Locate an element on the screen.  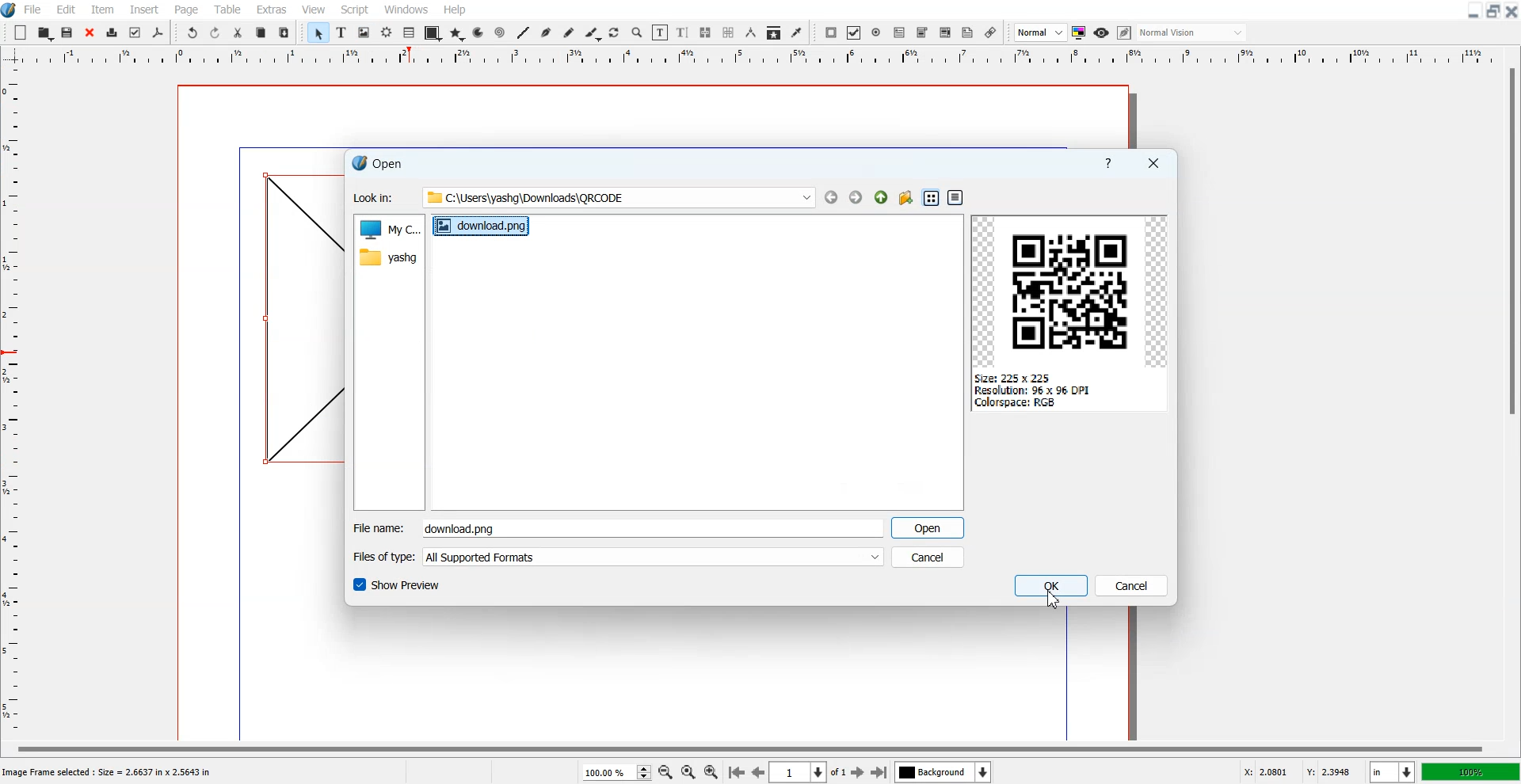
Go to Back is located at coordinates (832, 196).